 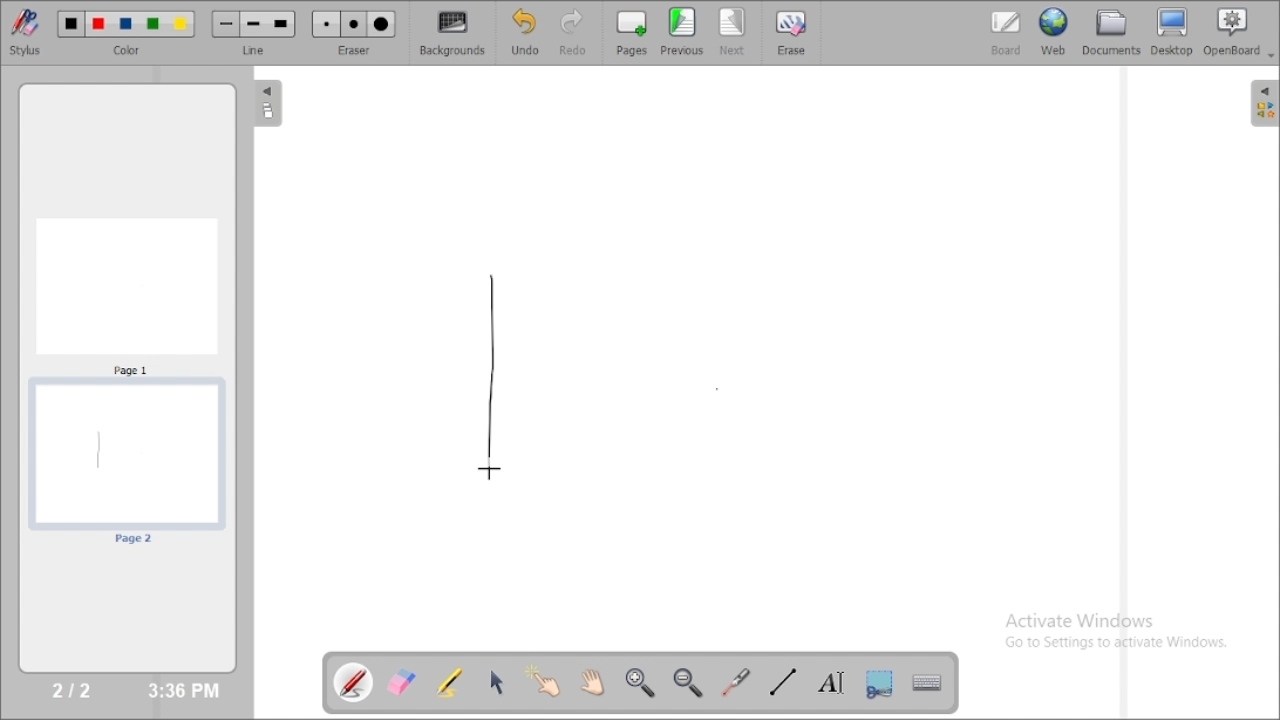 What do you see at coordinates (490, 472) in the screenshot?
I see `Cursor` at bounding box center [490, 472].